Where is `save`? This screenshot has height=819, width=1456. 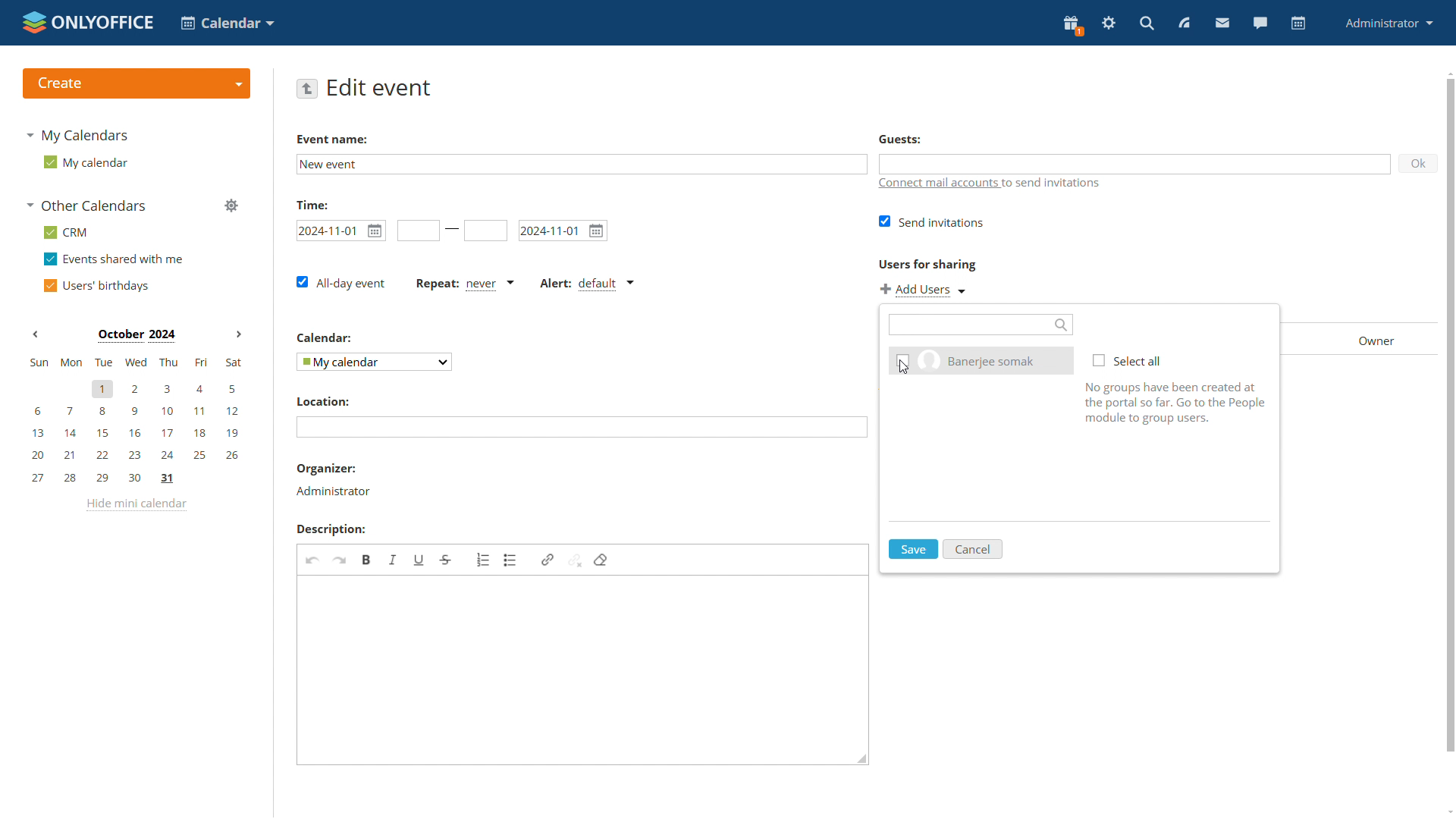 save is located at coordinates (912, 548).